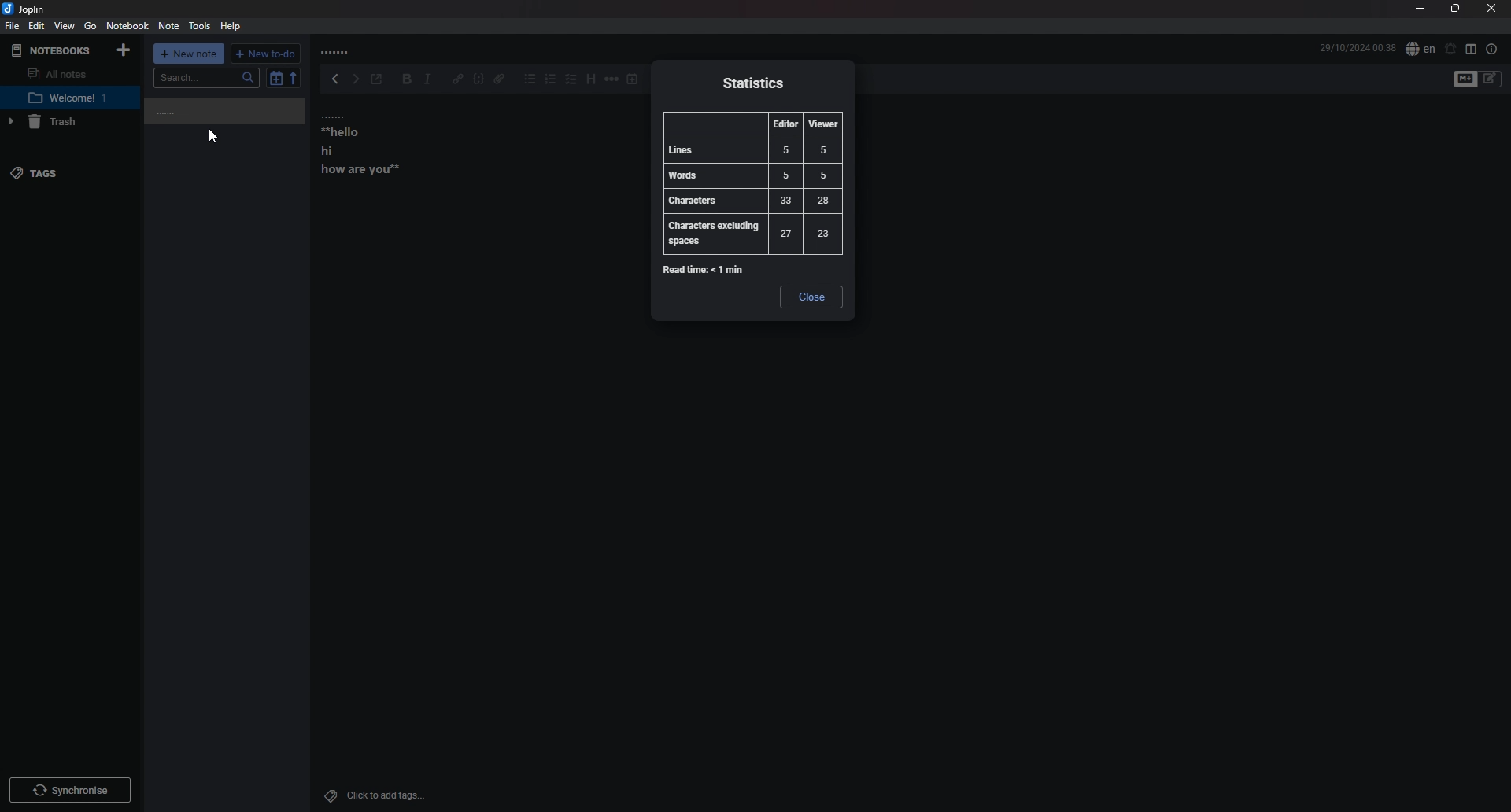 This screenshot has width=1511, height=812. Describe the element at coordinates (332, 79) in the screenshot. I see `back` at that location.